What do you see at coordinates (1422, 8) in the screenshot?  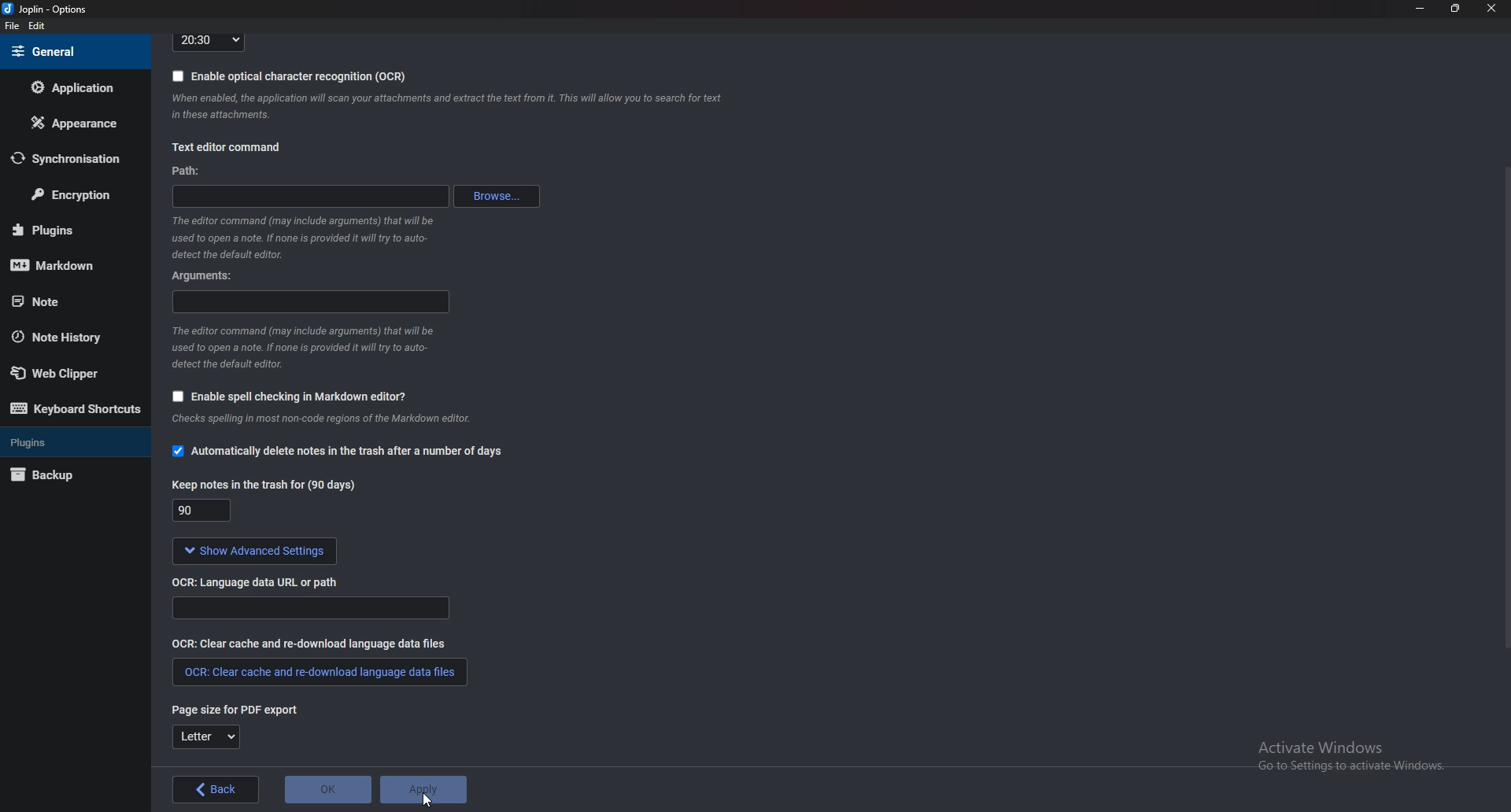 I see `Minimize` at bounding box center [1422, 8].